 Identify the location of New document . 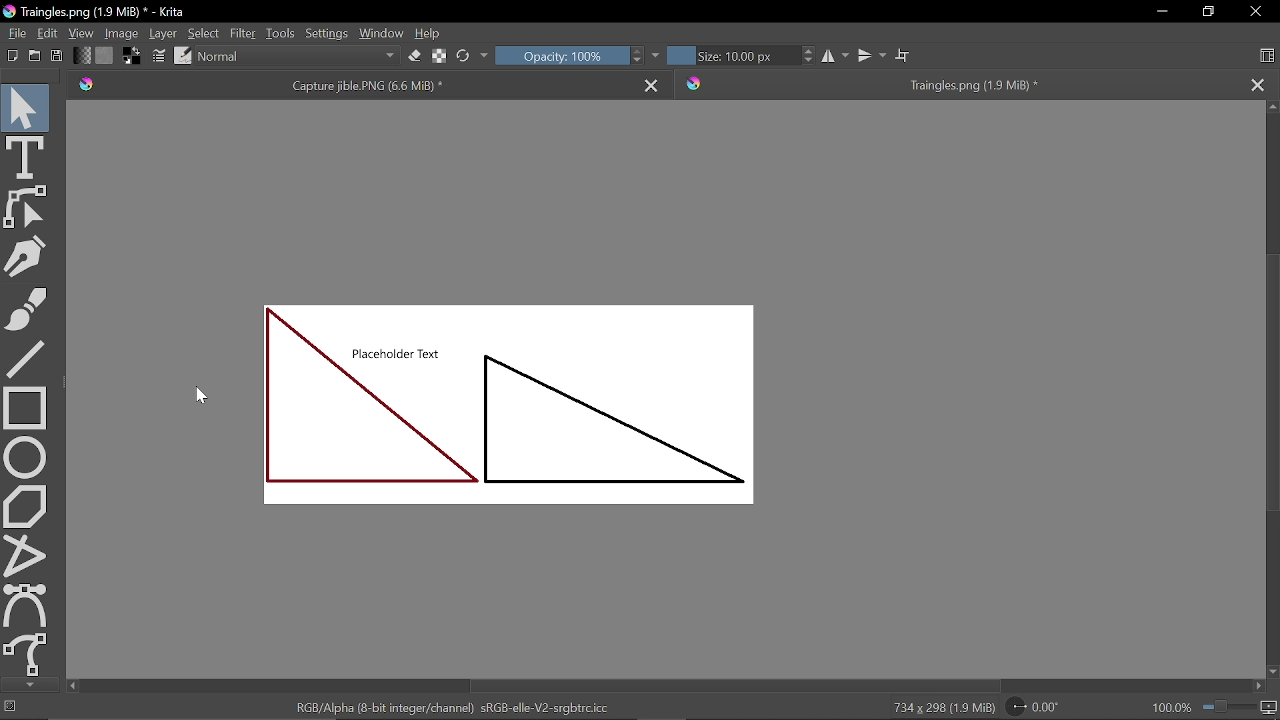
(10, 57).